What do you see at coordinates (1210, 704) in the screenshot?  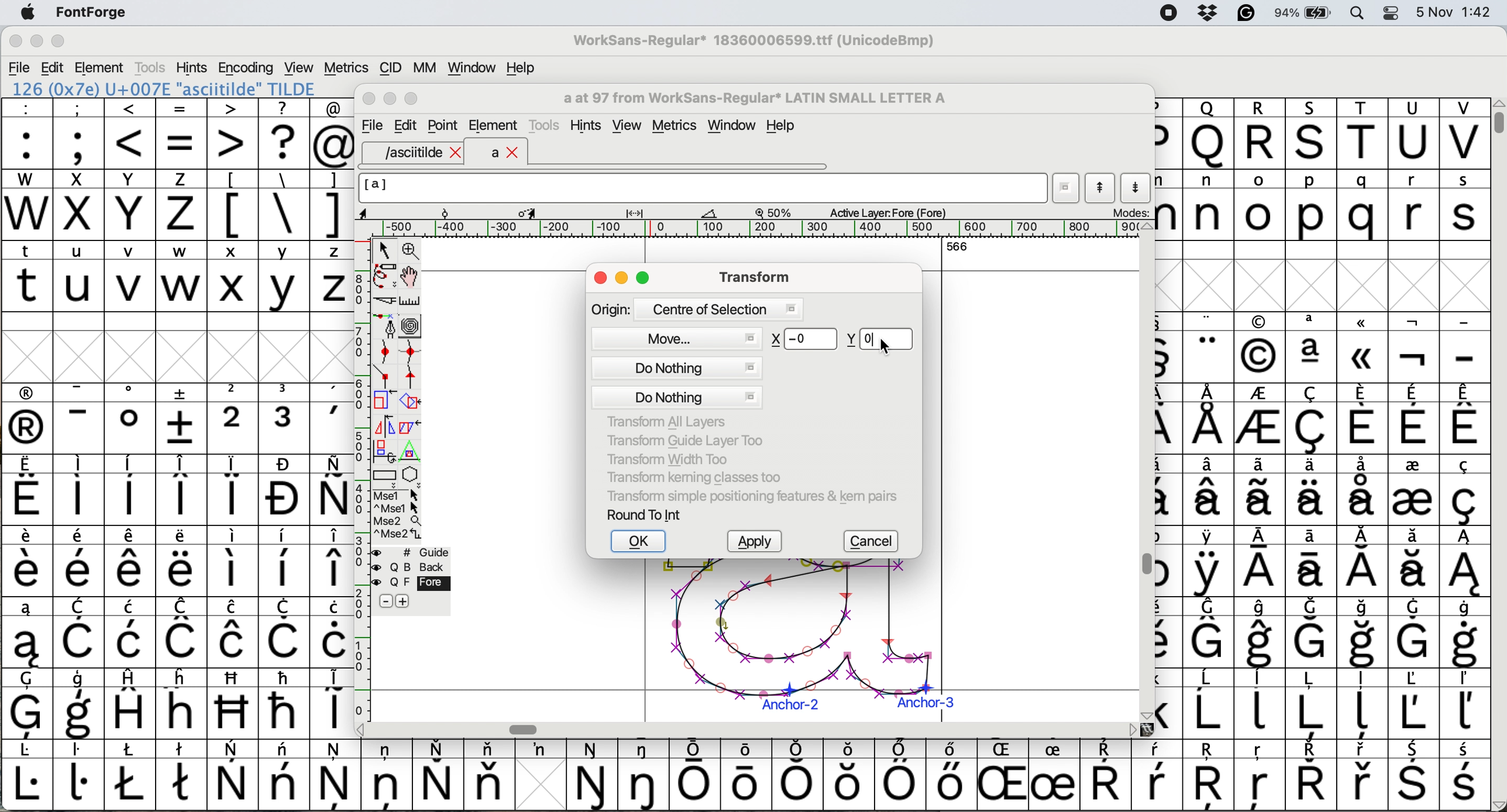 I see `symbol` at bounding box center [1210, 704].